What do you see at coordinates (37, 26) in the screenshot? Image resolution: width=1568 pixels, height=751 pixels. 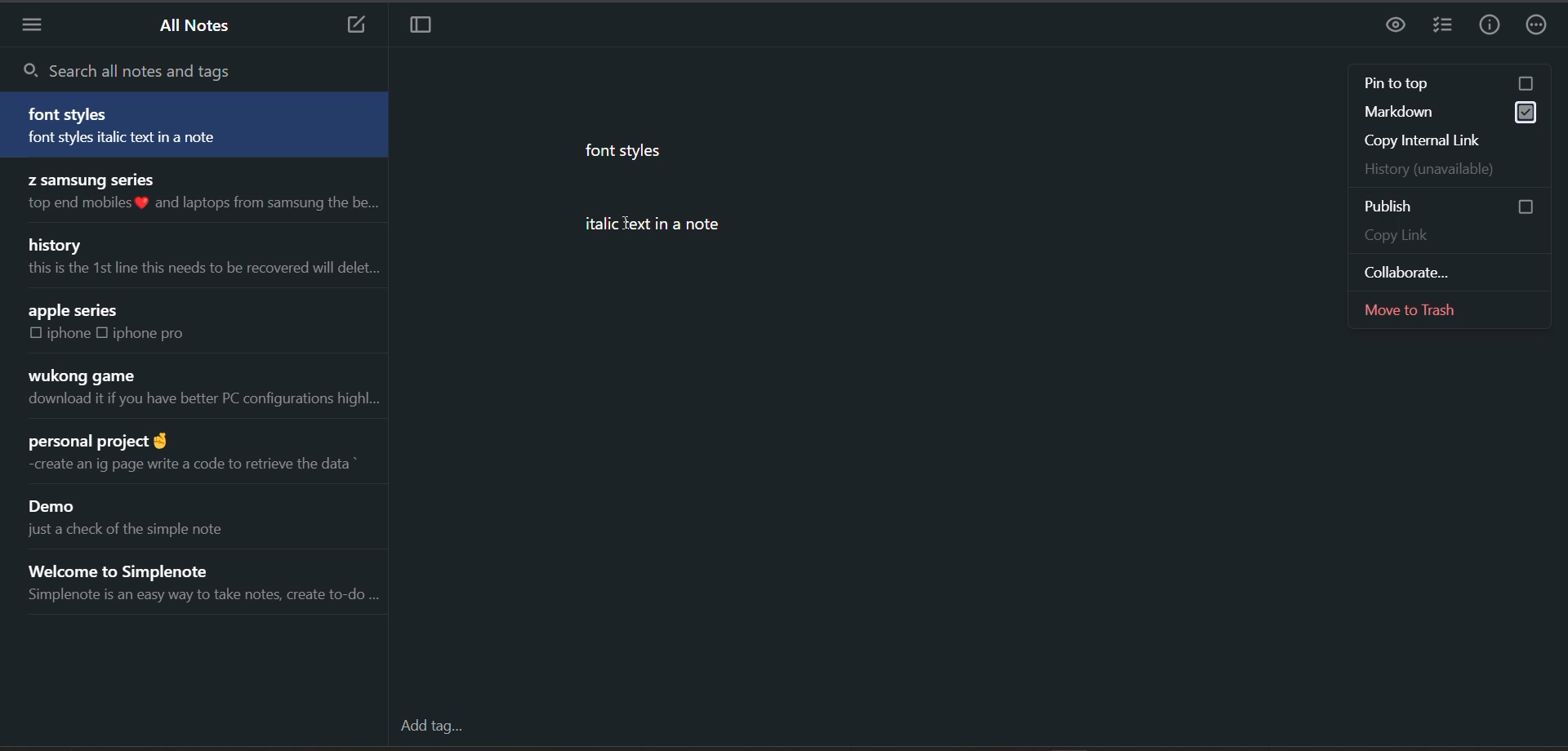 I see `menu` at bounding box center [37, 26].